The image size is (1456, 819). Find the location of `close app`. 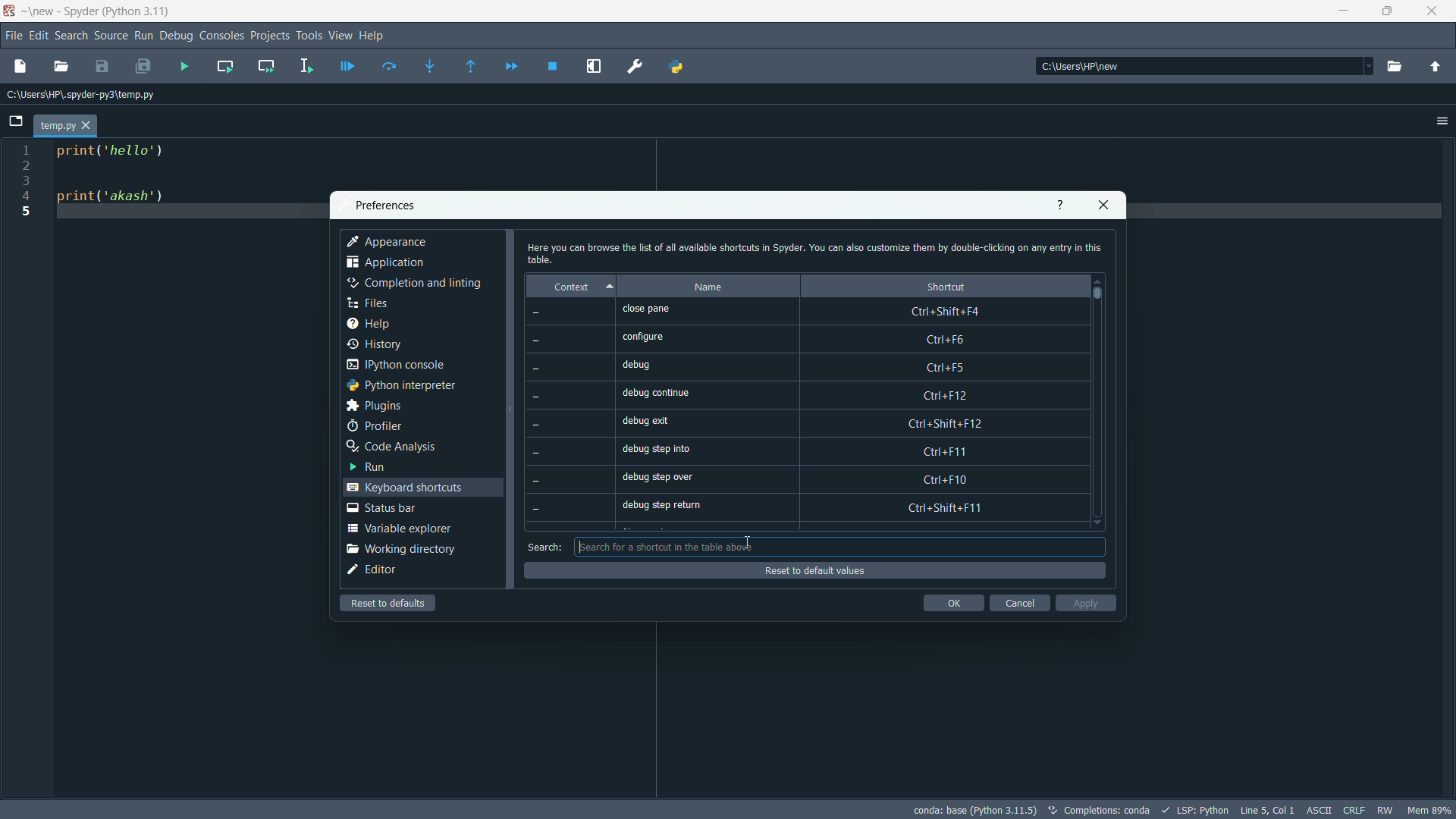

close app is located at coordinates (1432, 11).